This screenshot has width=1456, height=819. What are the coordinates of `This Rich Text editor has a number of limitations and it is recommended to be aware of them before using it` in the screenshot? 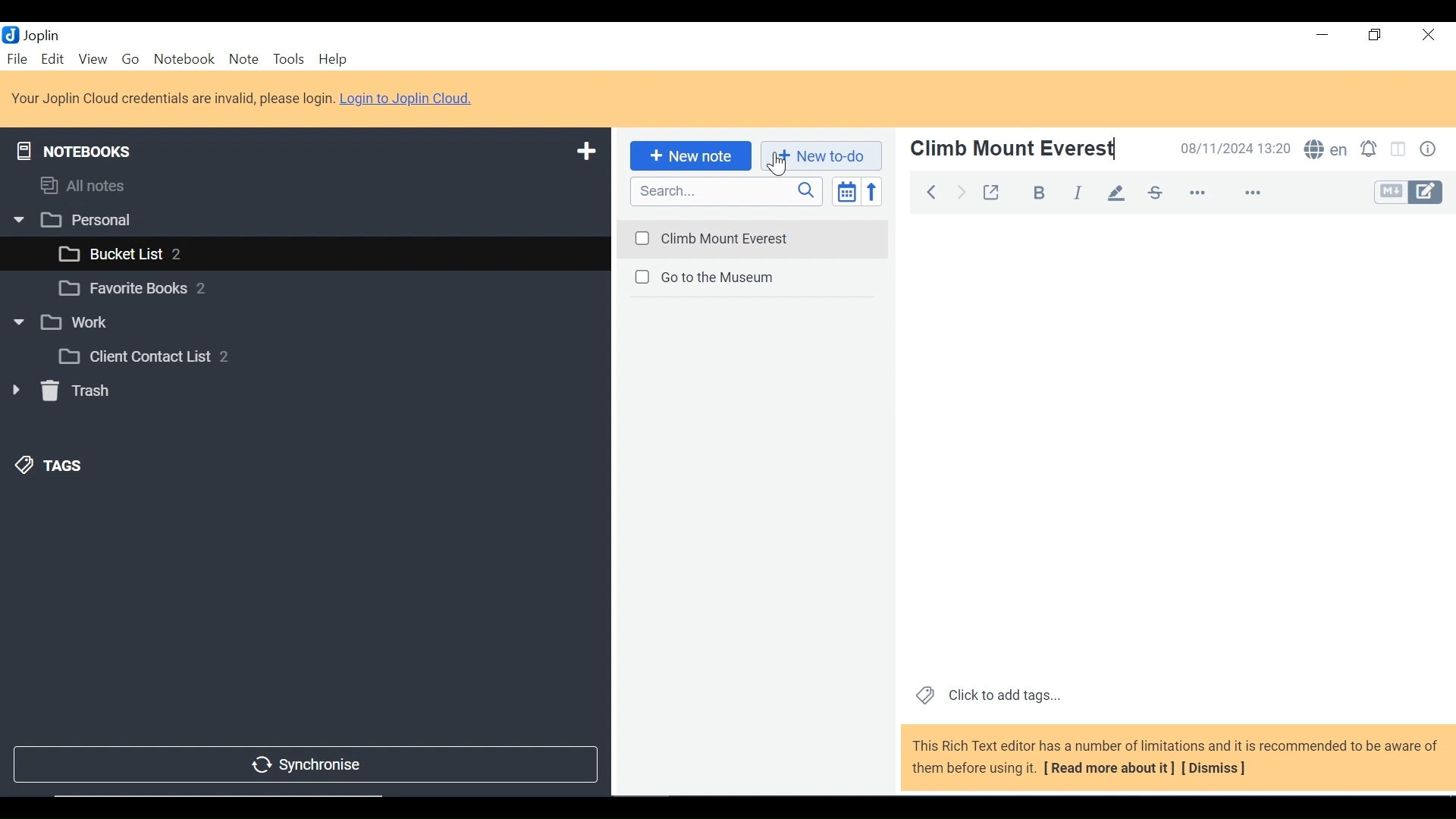 It's located at (1176, 758).